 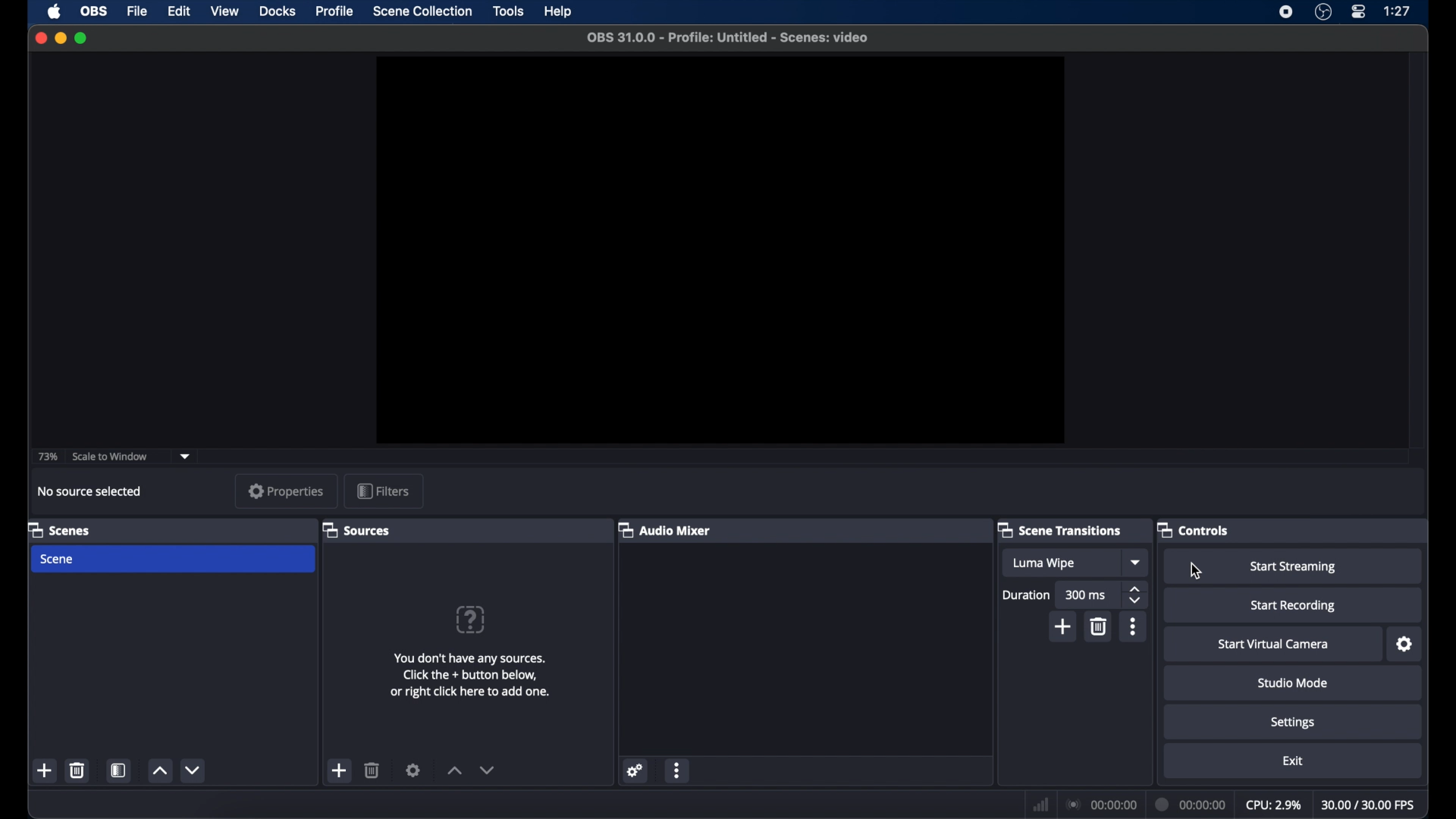 What do you see at coordinates (372, 770) in the screenshot?
I see `delete` at bounding box center [372, 770].